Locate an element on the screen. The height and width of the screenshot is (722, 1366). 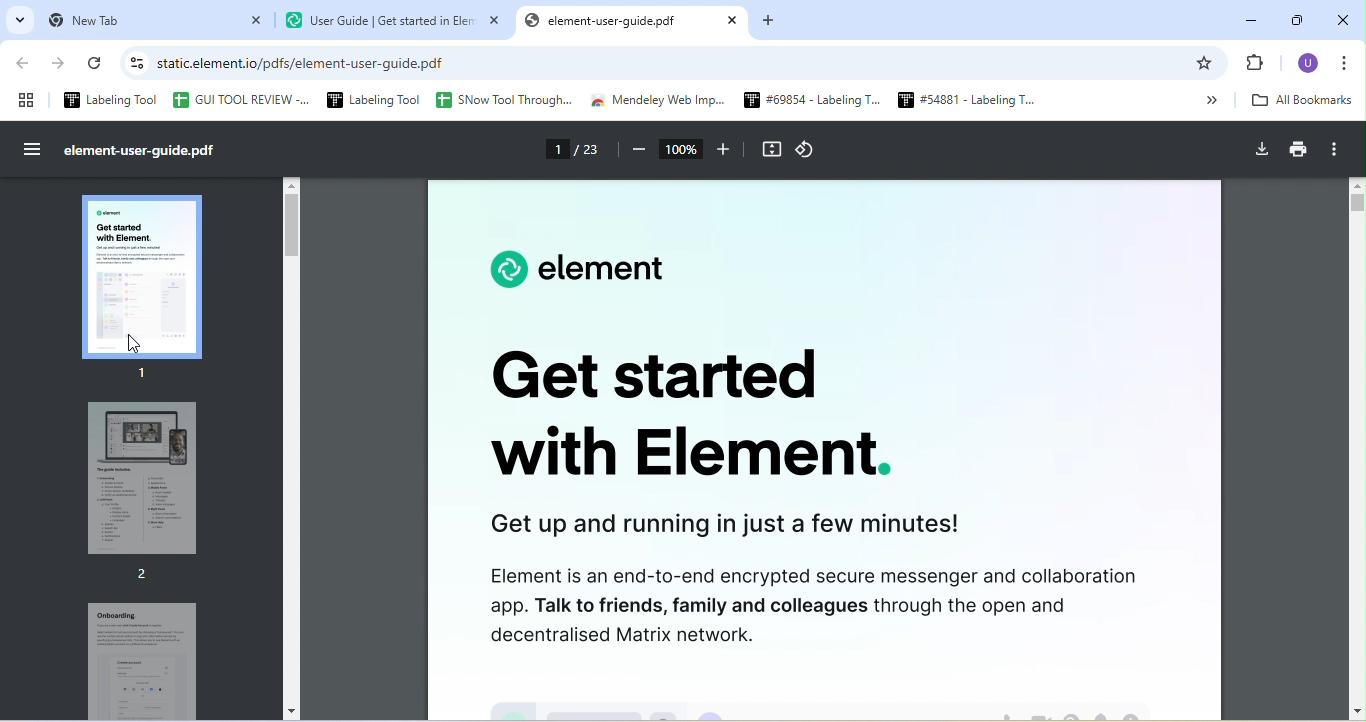
close is located at coordinates (1343, 18).